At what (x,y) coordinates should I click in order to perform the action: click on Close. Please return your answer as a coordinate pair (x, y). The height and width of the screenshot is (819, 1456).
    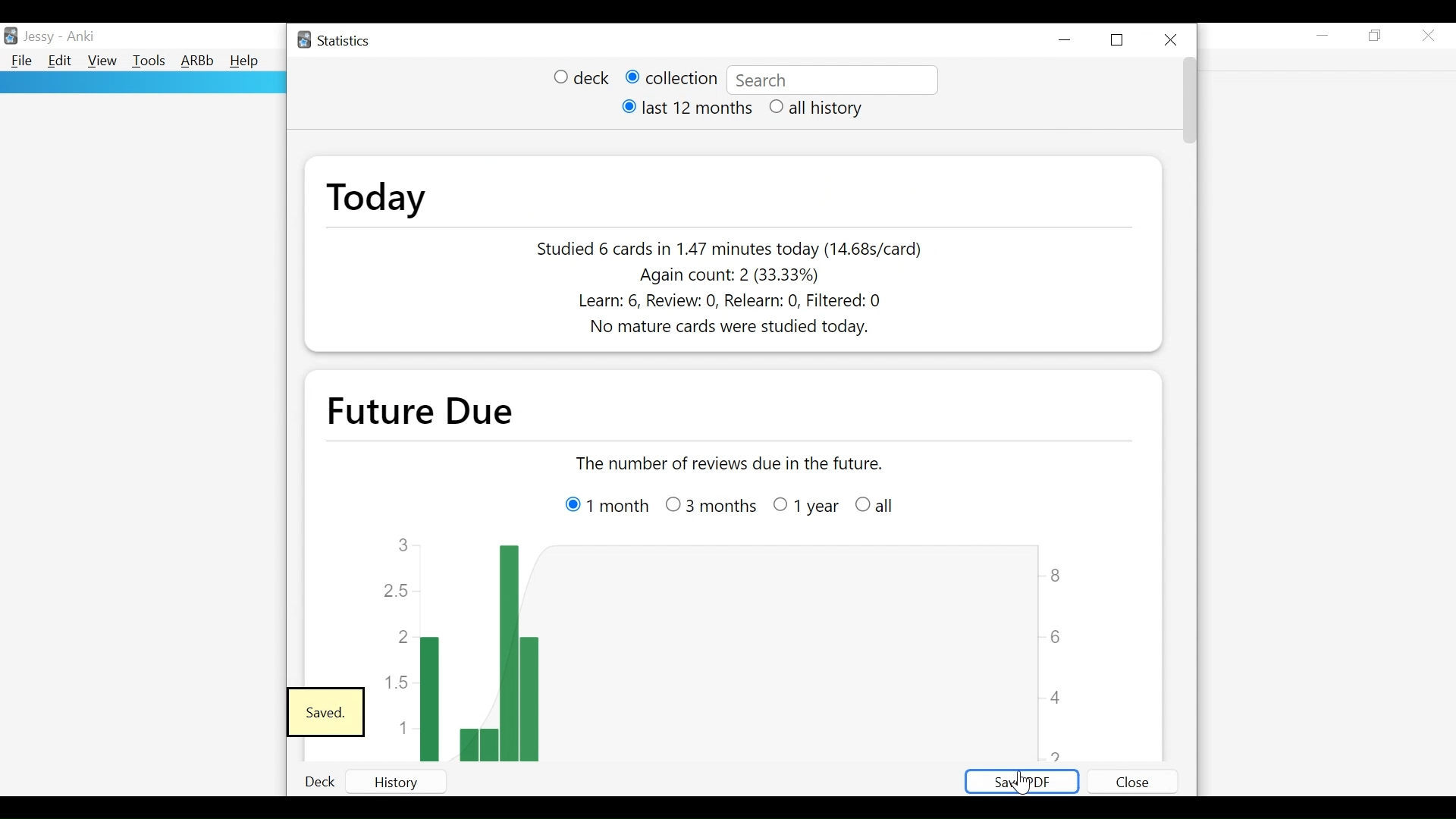
    Looking at the image, I should click on (1429, 35).